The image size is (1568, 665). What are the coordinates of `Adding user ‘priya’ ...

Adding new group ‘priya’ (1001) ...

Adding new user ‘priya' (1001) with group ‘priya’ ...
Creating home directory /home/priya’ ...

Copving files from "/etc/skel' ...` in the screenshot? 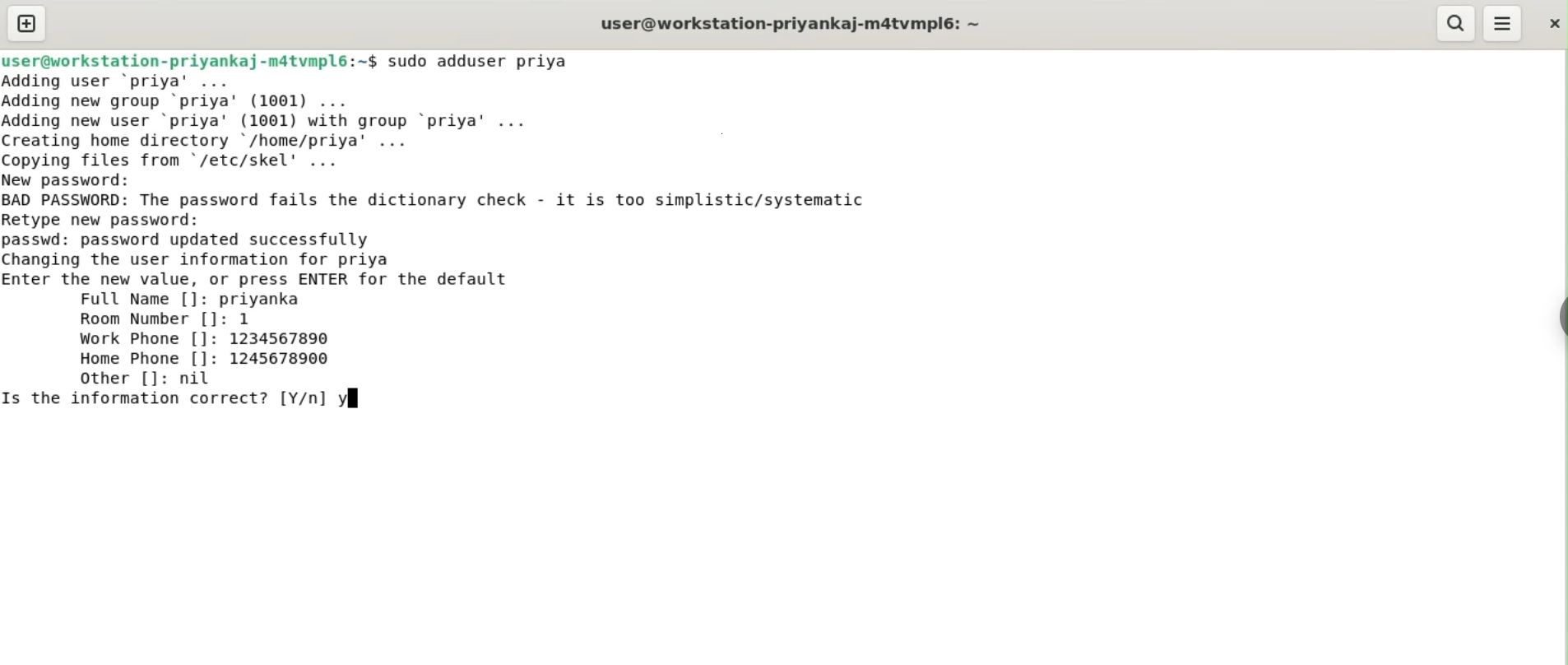 It's located at (318, 119).